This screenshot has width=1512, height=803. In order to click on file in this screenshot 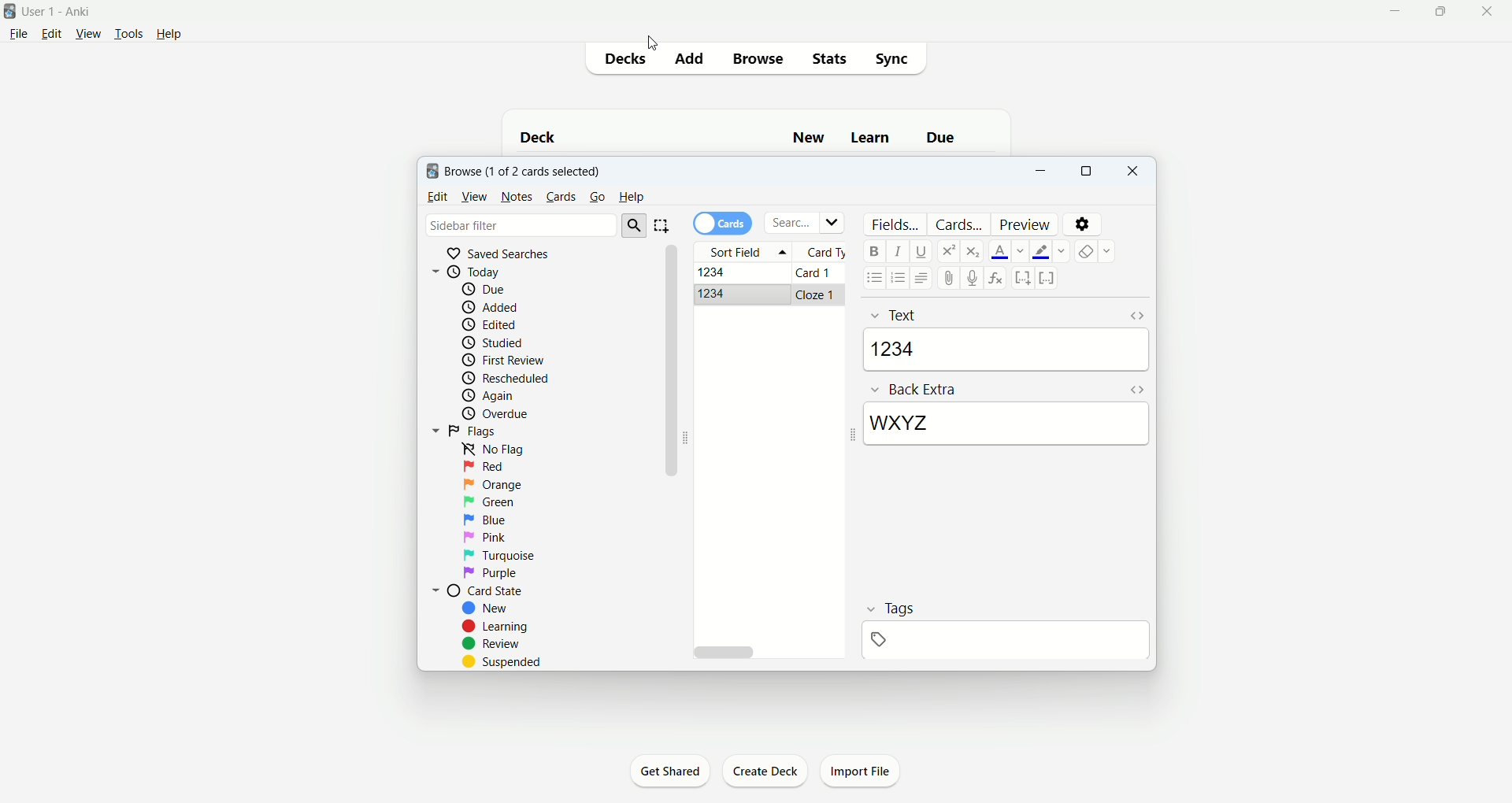, I will do `click(17, 35)`.